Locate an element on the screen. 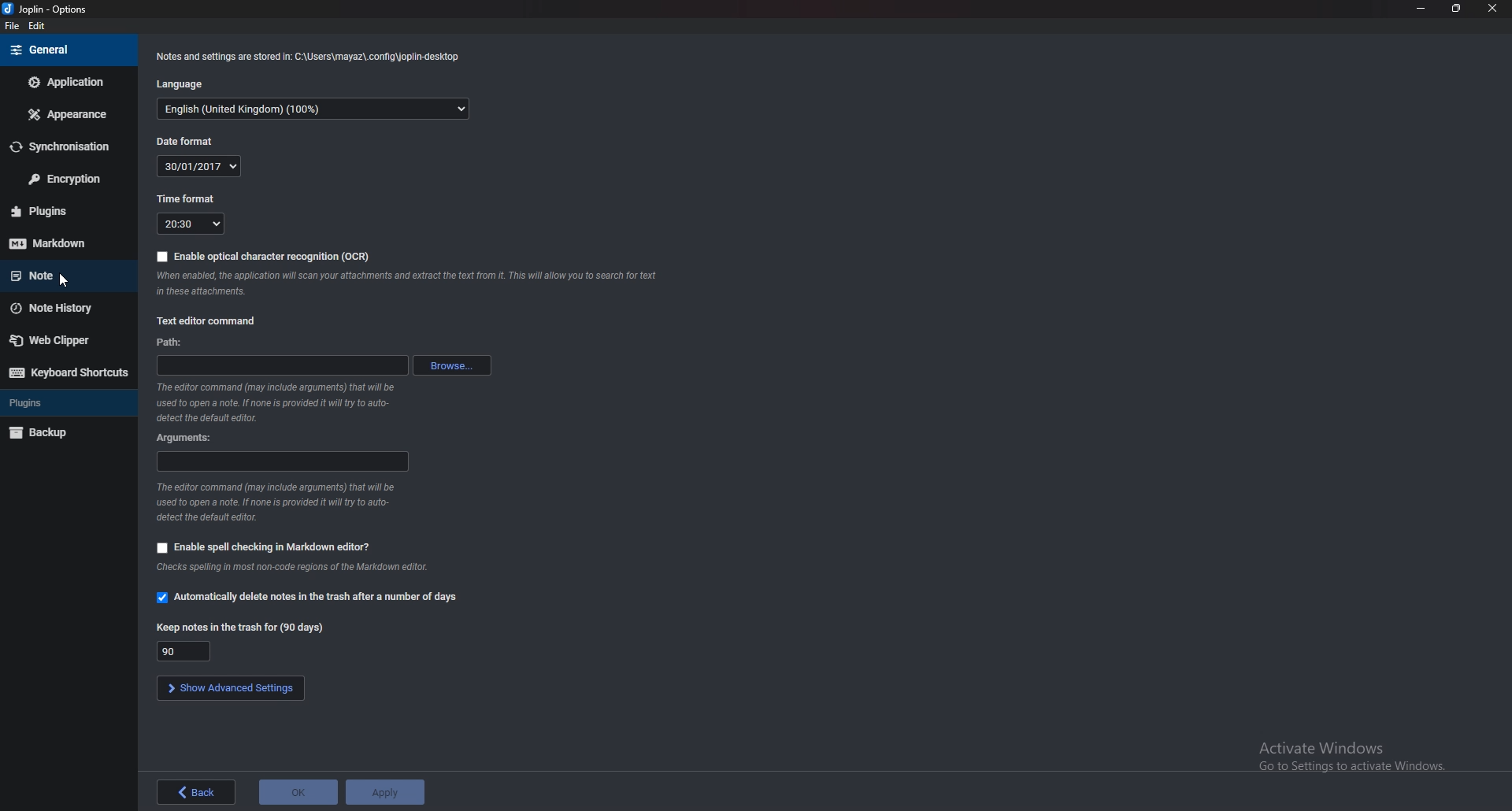 The width and height of the screenshot is (1512, 811). Automatically delete notes is located at coordinates (309, 597).